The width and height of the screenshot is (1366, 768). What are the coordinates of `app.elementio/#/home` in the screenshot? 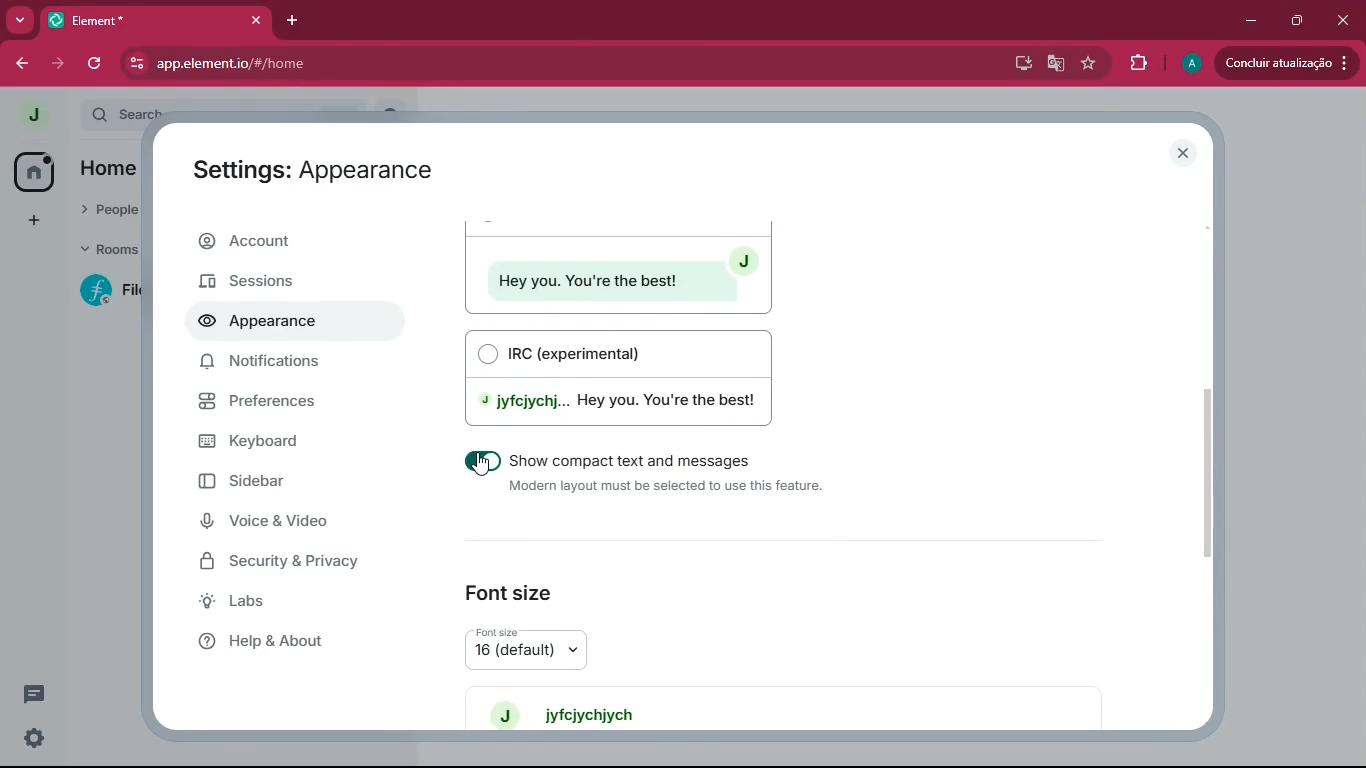 It's located at (451, 64).